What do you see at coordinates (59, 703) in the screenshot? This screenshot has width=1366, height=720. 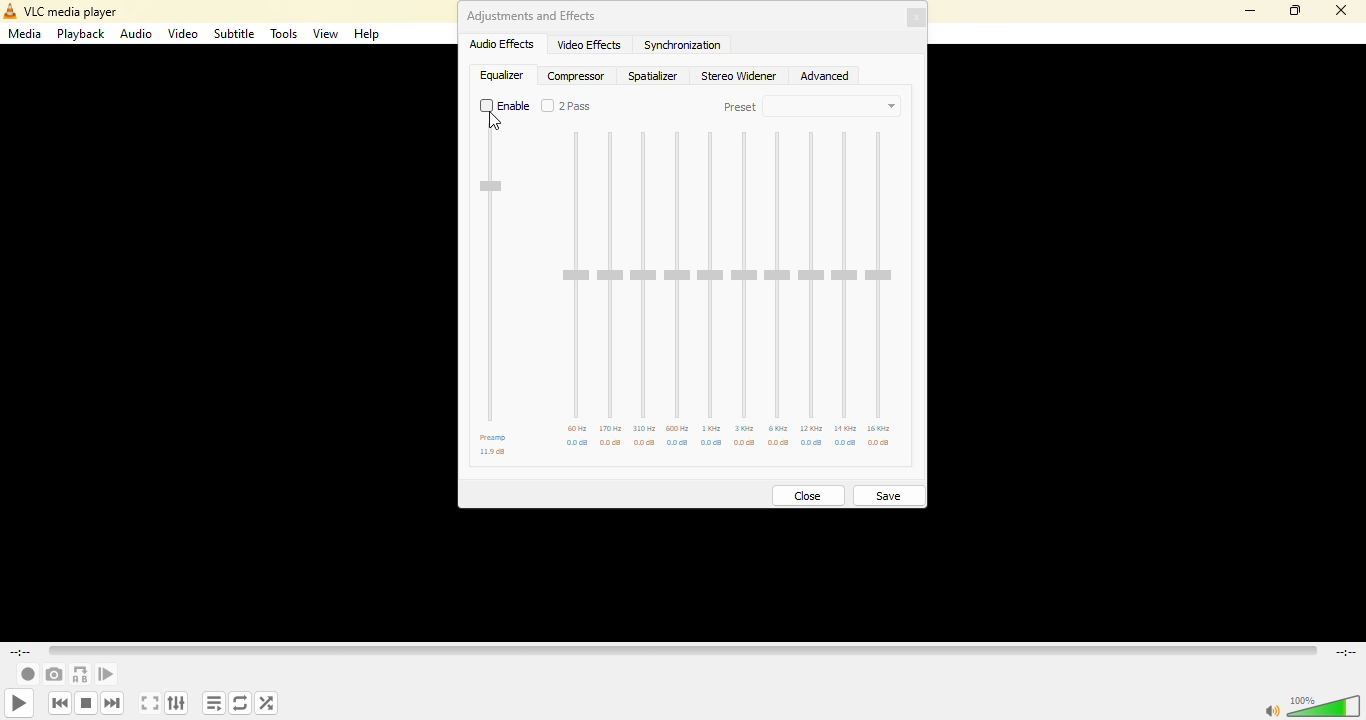 I see `previous media in playlist` at bounding box center [59, 703].